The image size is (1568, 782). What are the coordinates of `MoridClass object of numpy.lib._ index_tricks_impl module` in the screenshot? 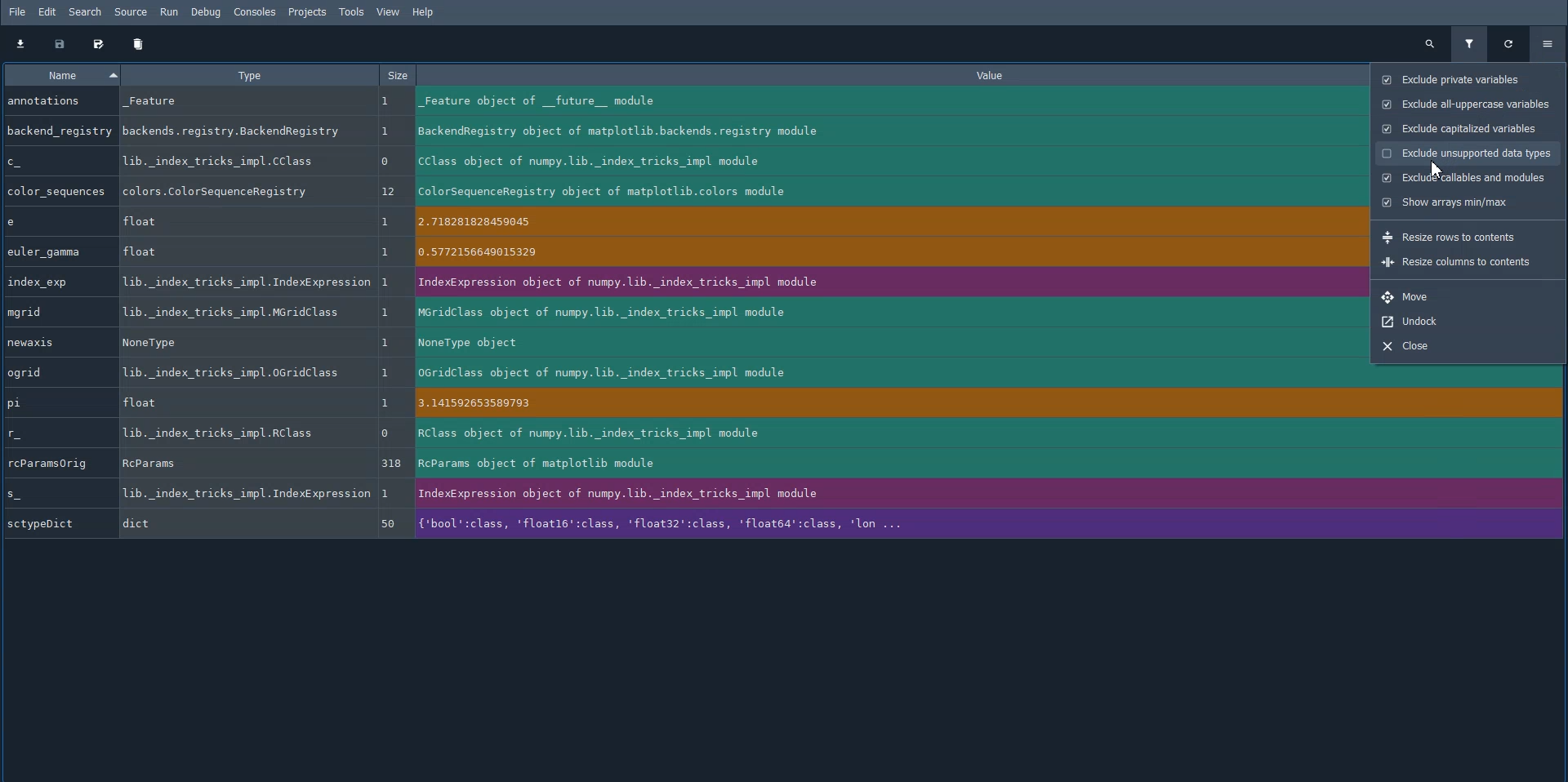 It's located at (881, 314).